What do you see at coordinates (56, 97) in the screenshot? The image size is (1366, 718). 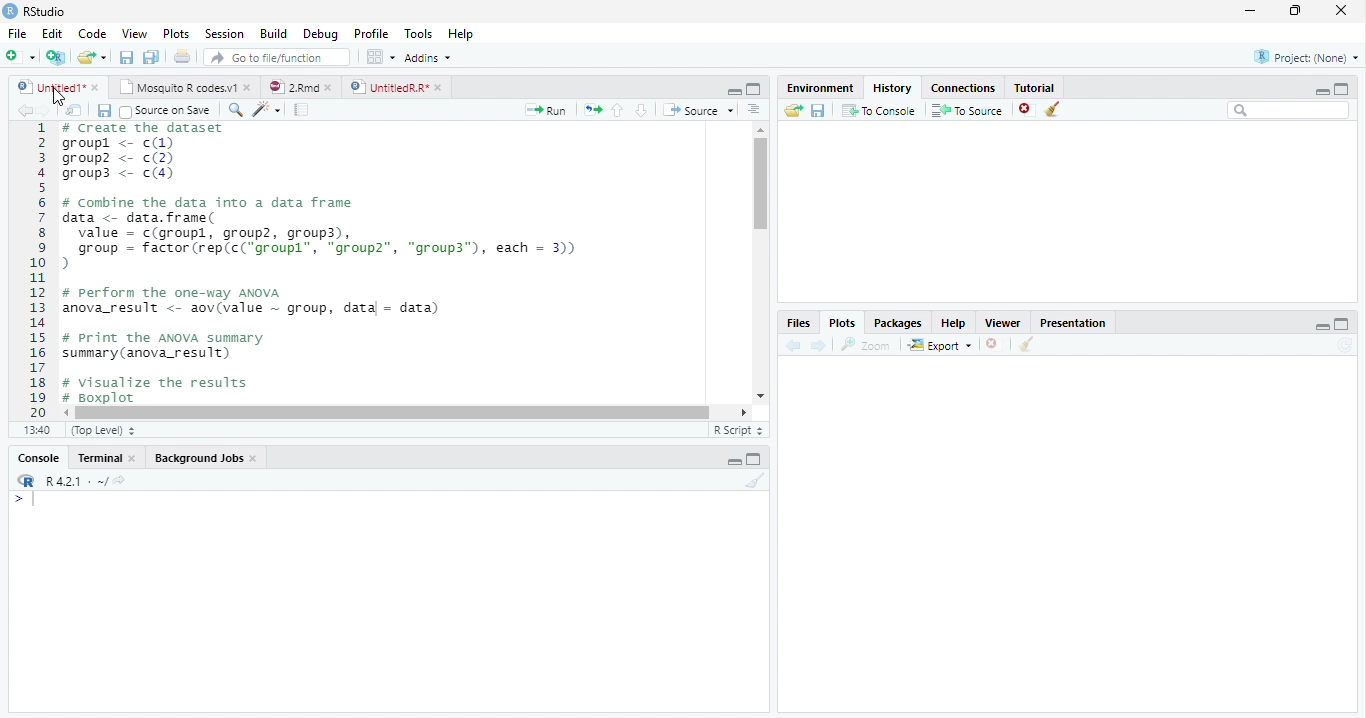 I see `Cursor` at bounding box center [56, 97].